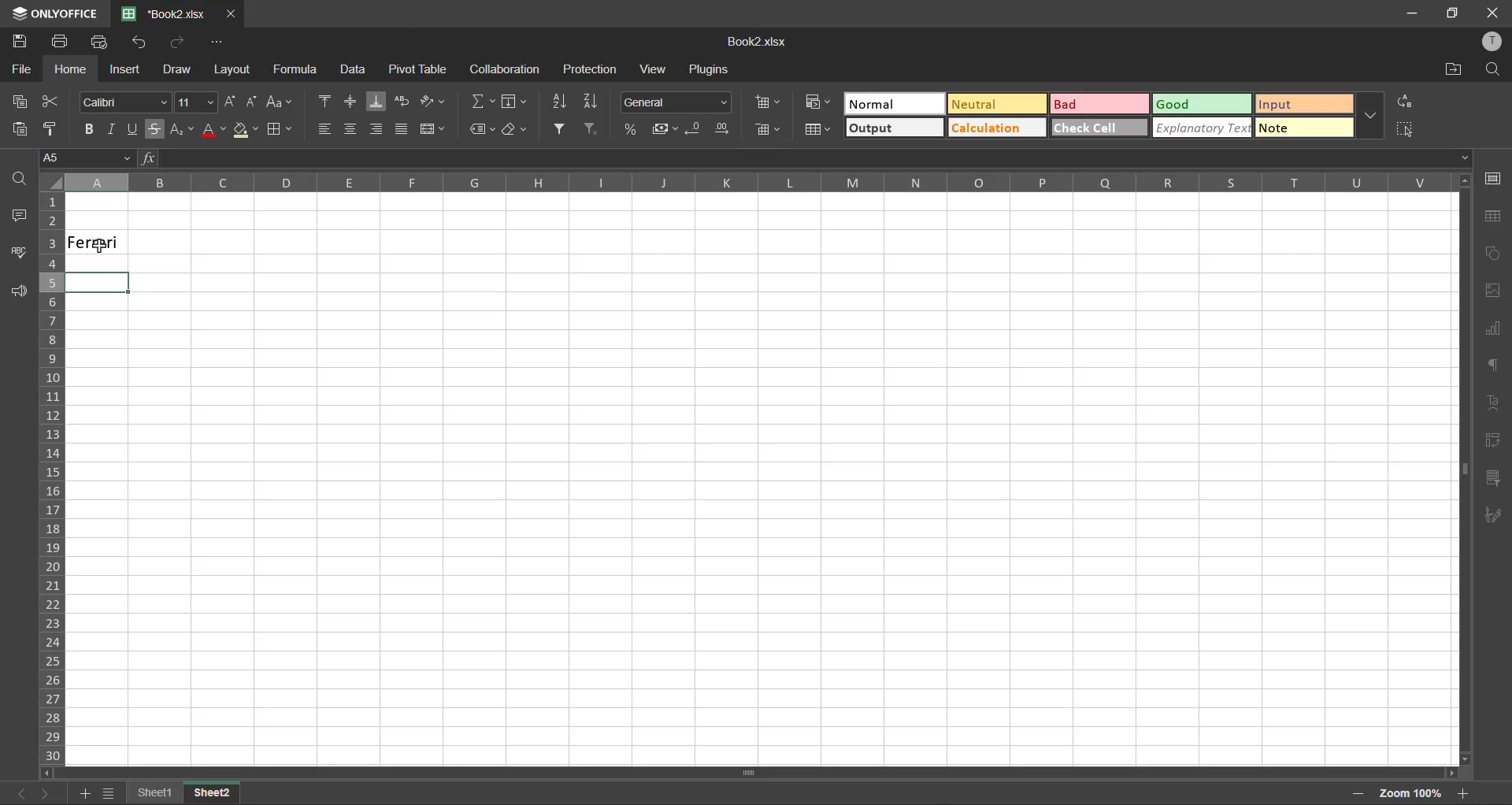 This screenshot has height=805, width=1512. What do you see at coordinates (676, 102) in the screenshot?
I see `number format` at bounding box center [676, 102].